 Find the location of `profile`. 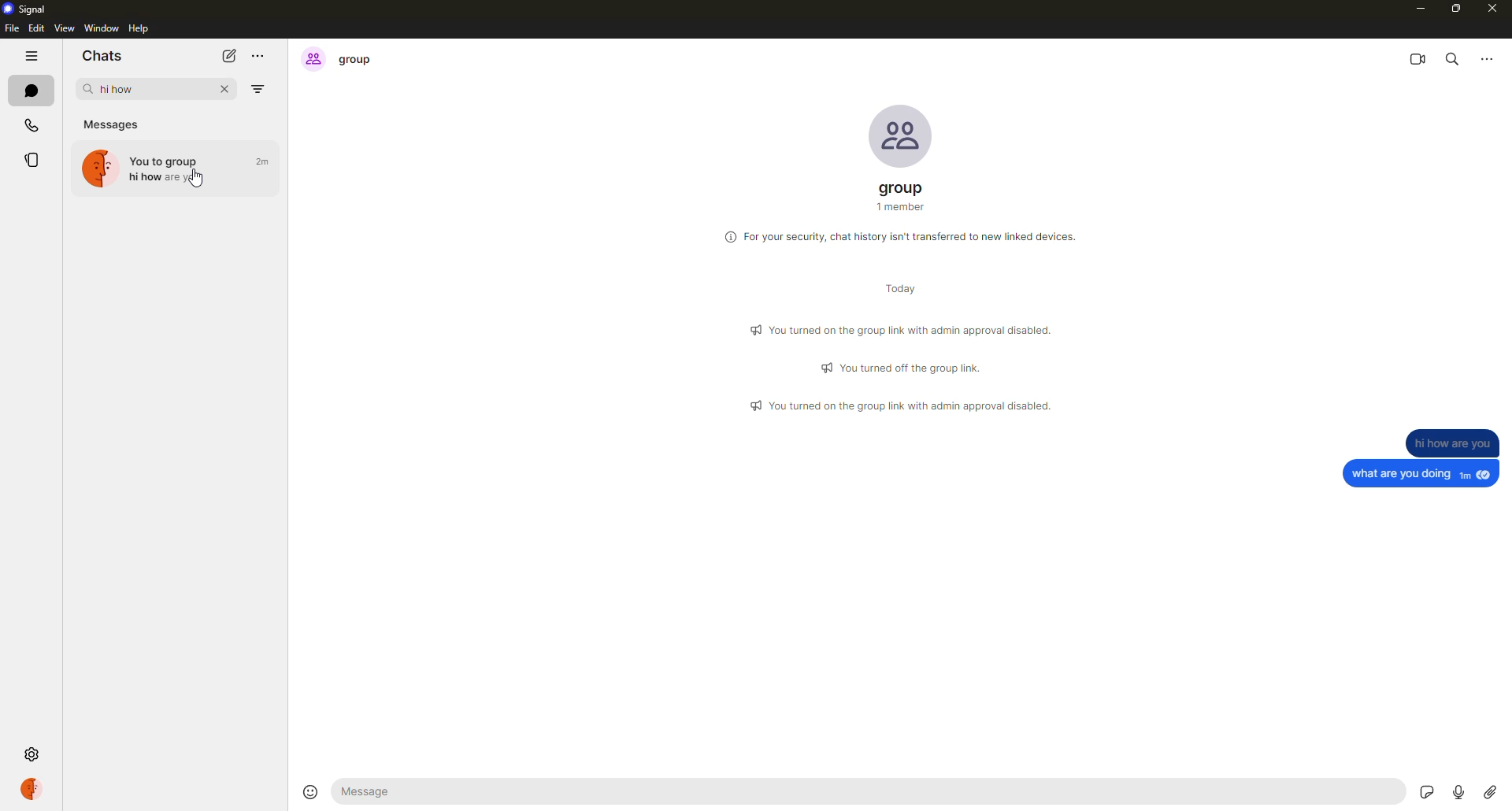

profile is located at coordinates (31, 788).